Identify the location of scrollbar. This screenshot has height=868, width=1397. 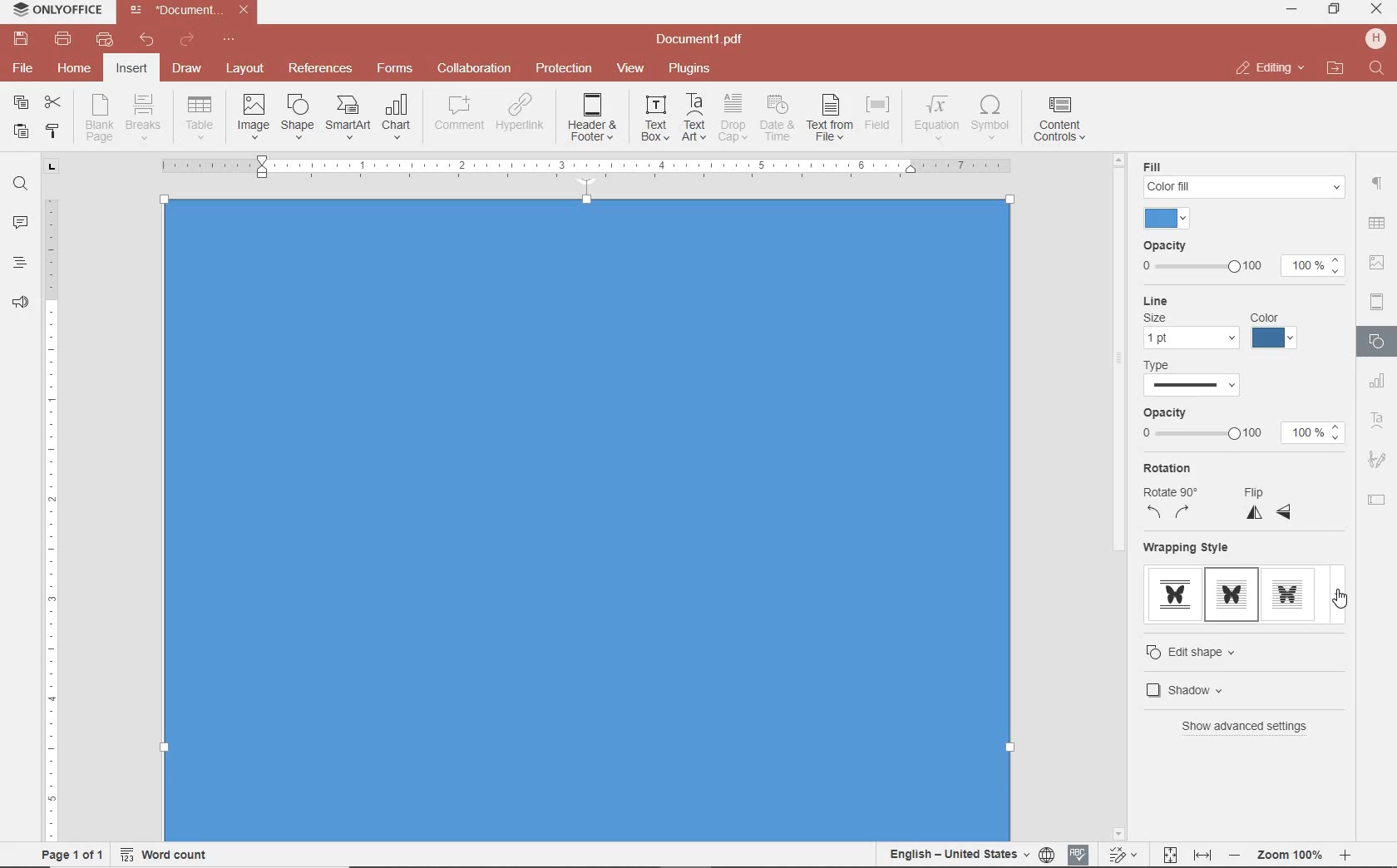
(1354, 644).